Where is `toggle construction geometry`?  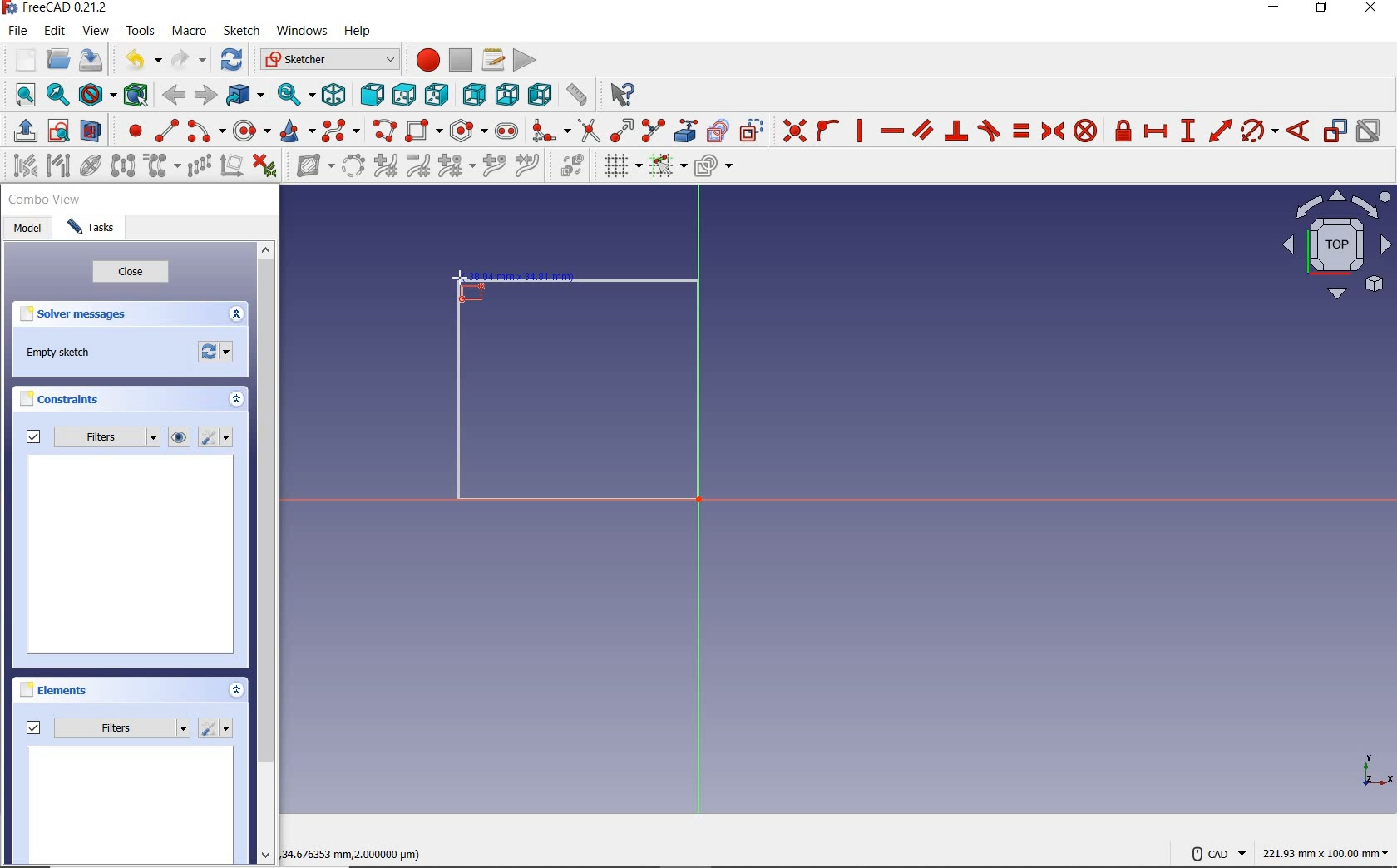 toggle construction geometry is located at coordinates (751, 129).